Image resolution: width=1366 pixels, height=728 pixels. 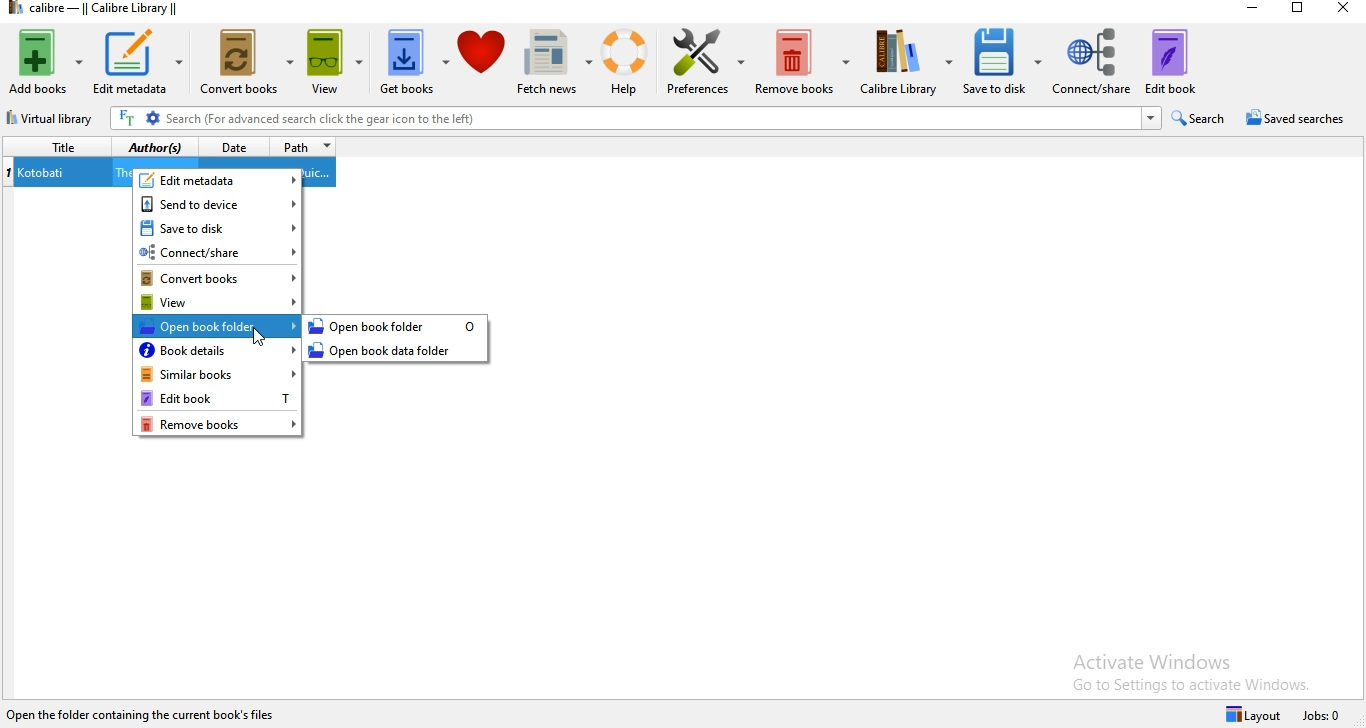 What do you see at coordinates (235, 147) in the screenshot?
I see `date` at bounding box center [235, 147].